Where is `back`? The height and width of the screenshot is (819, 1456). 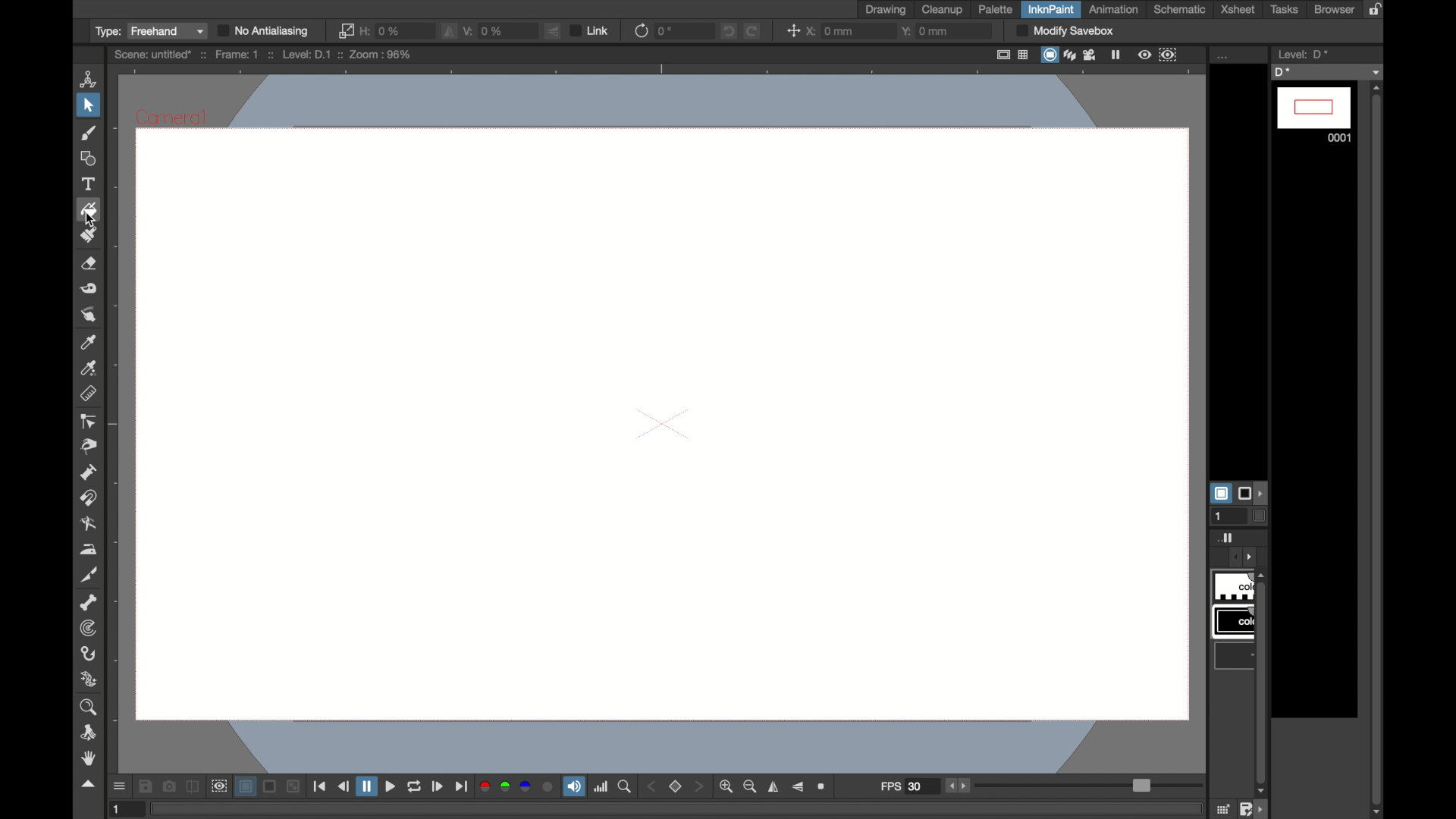 back is located at coordinates (649, 788).